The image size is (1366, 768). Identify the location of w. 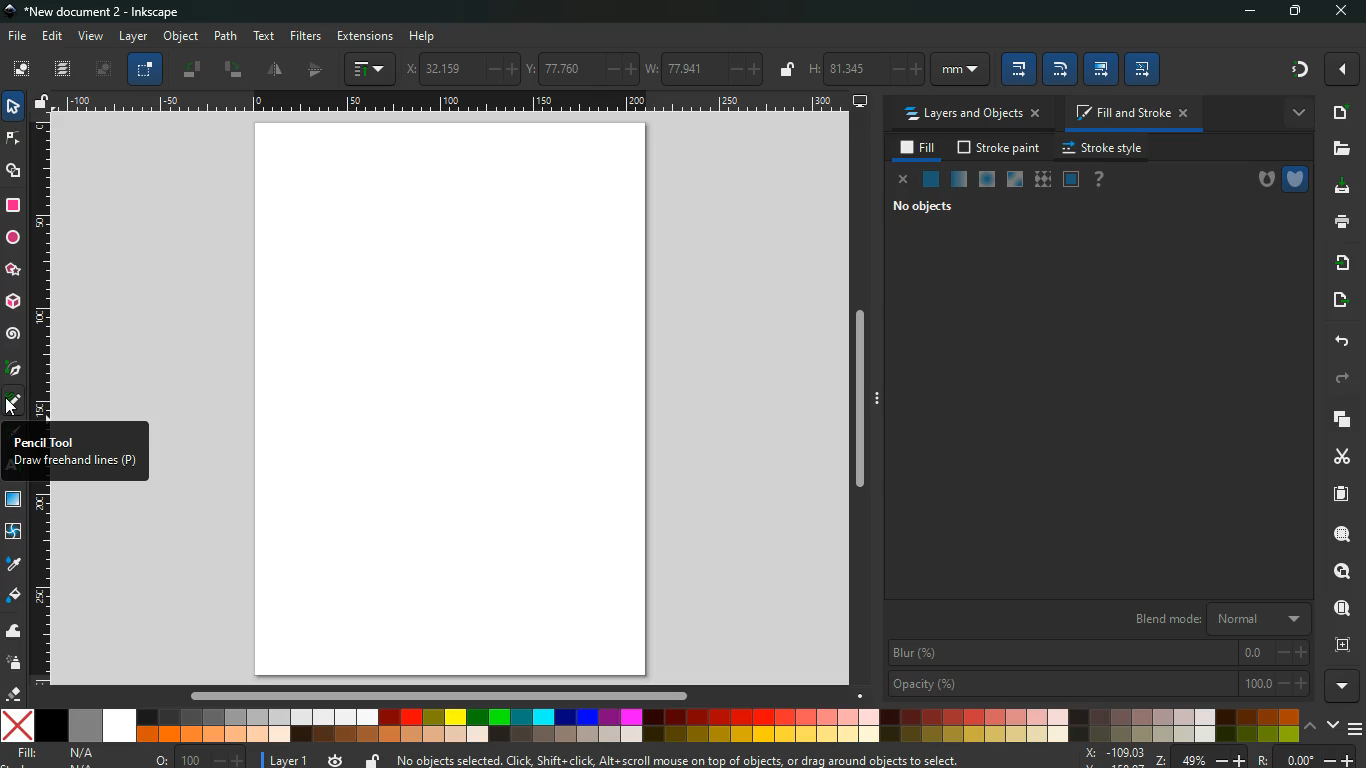
(703, 67).